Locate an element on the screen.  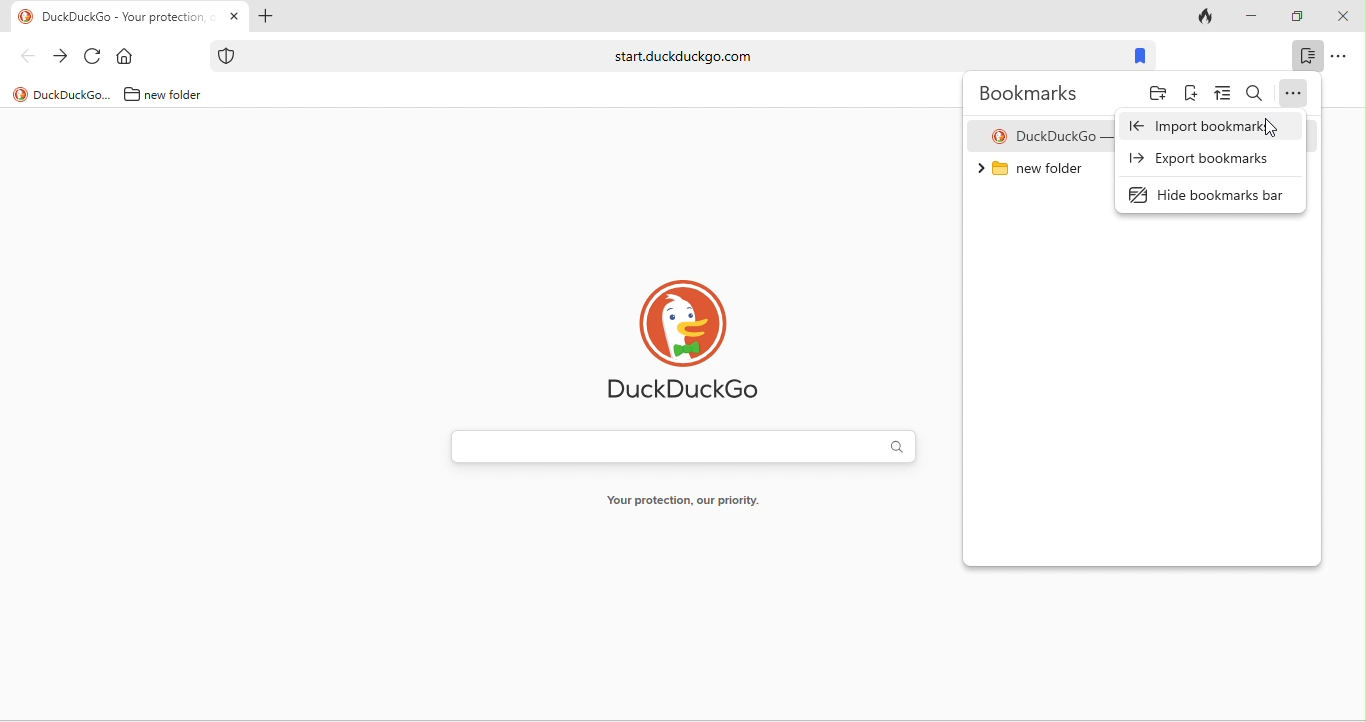
maximize is located at coordinates (1296, 17).